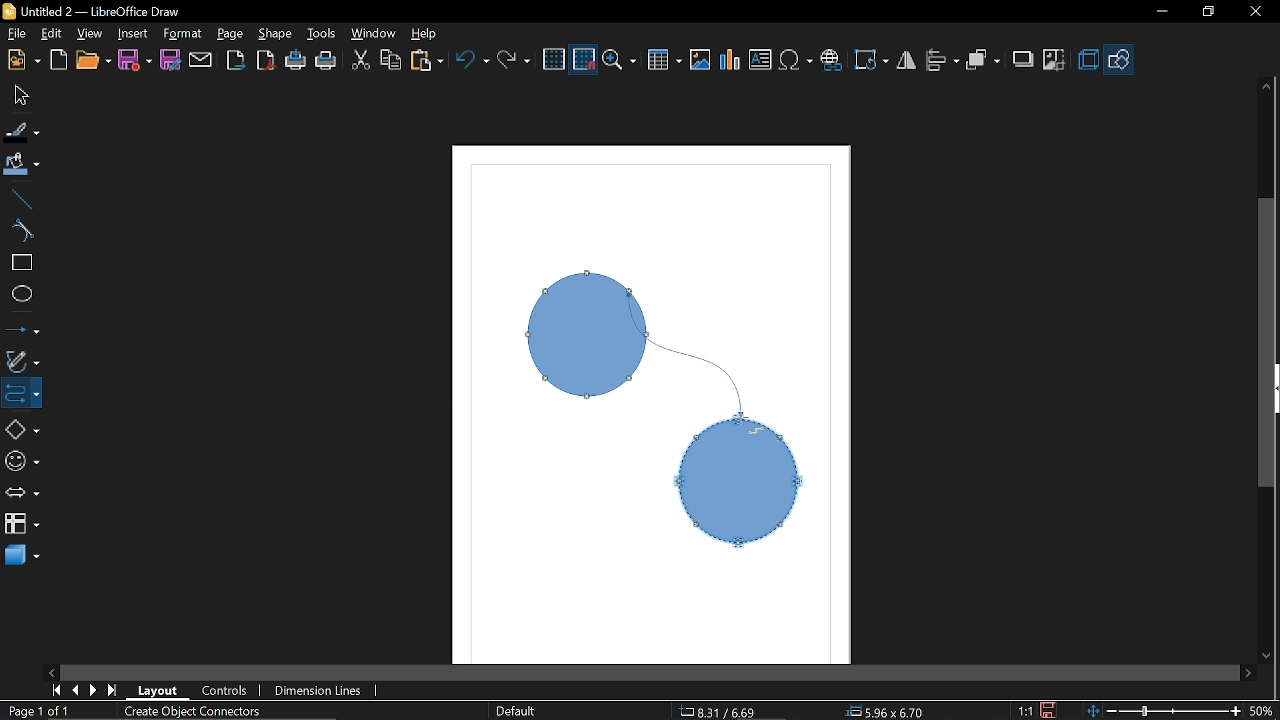 This screenshot has height=720, width=1280. I want to click on previous page, so click(72, 691).